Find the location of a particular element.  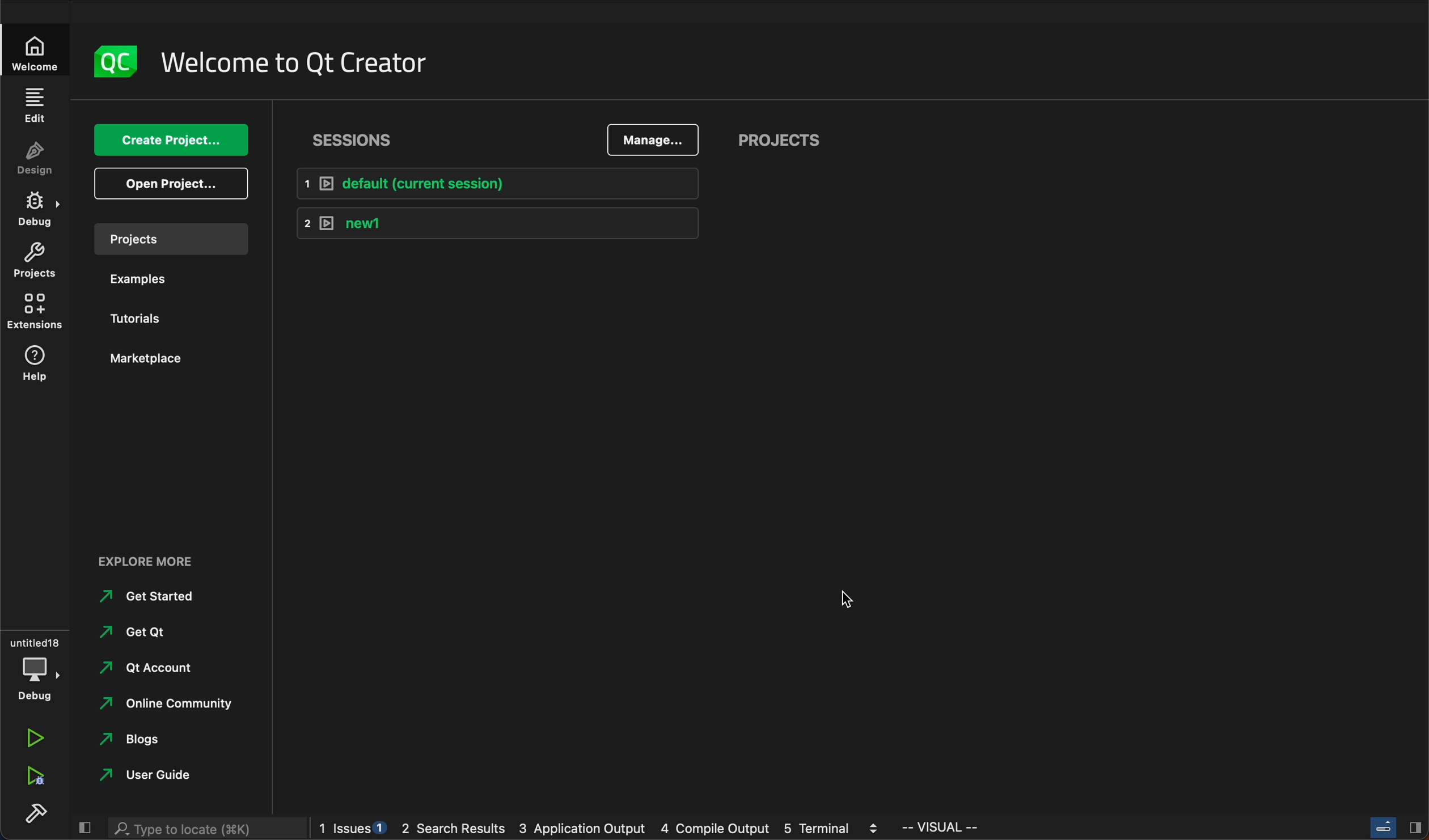

edit is located at coordinates (34, 105).